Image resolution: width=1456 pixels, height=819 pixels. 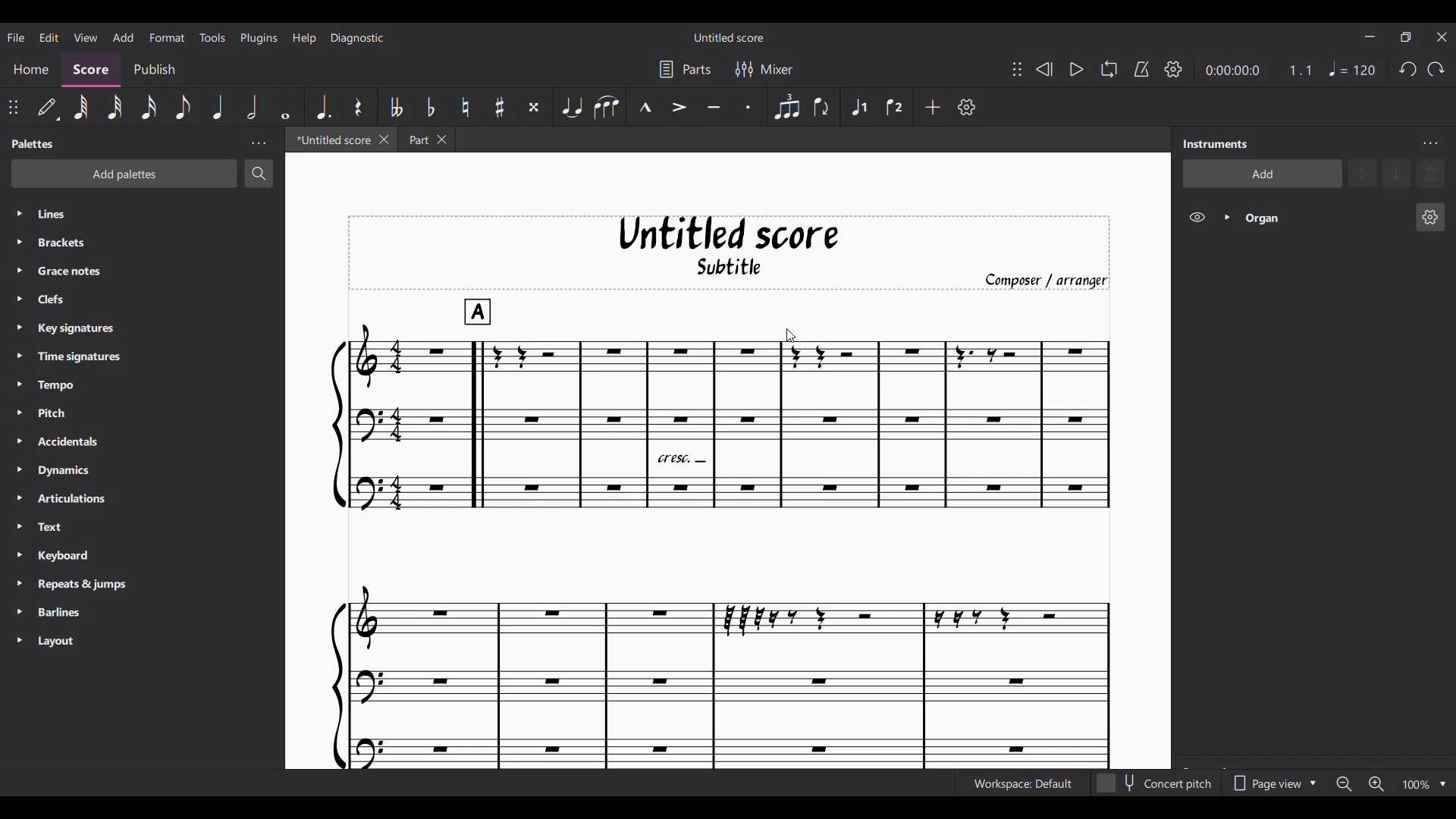 What do you see at coordinates (1077, 70) in the screenshot?
I see `Play` at bounding box center [1077, 70].